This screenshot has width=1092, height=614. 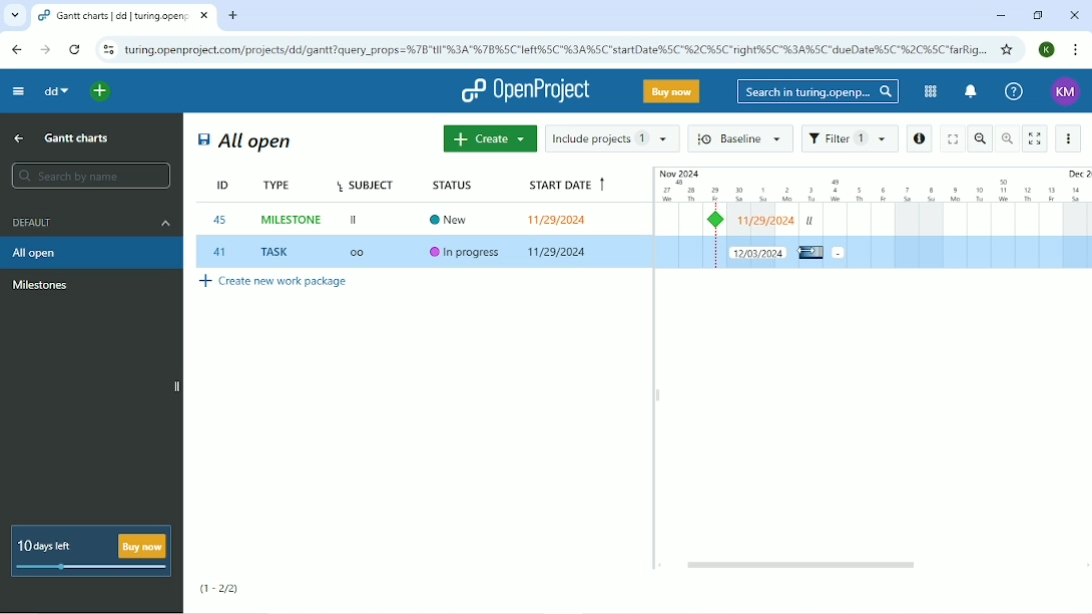 What do you see at coordinates (245, 141) in the screenshot?
I see `All open` at bounding box center [245, 141].